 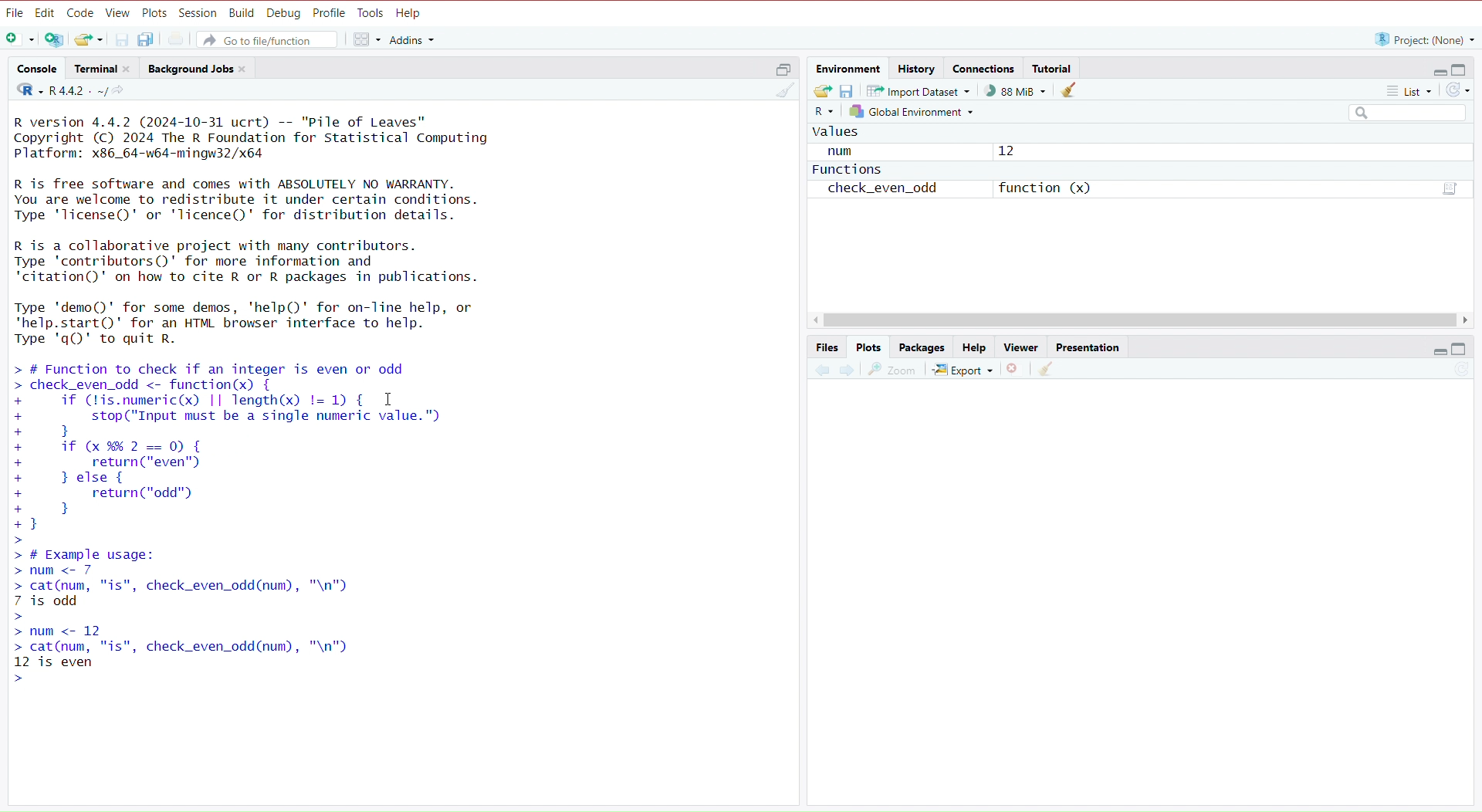 What do you see at coordinates (413, 39) in the screenshot?
I see `addins` at bounding box center [413, 39].